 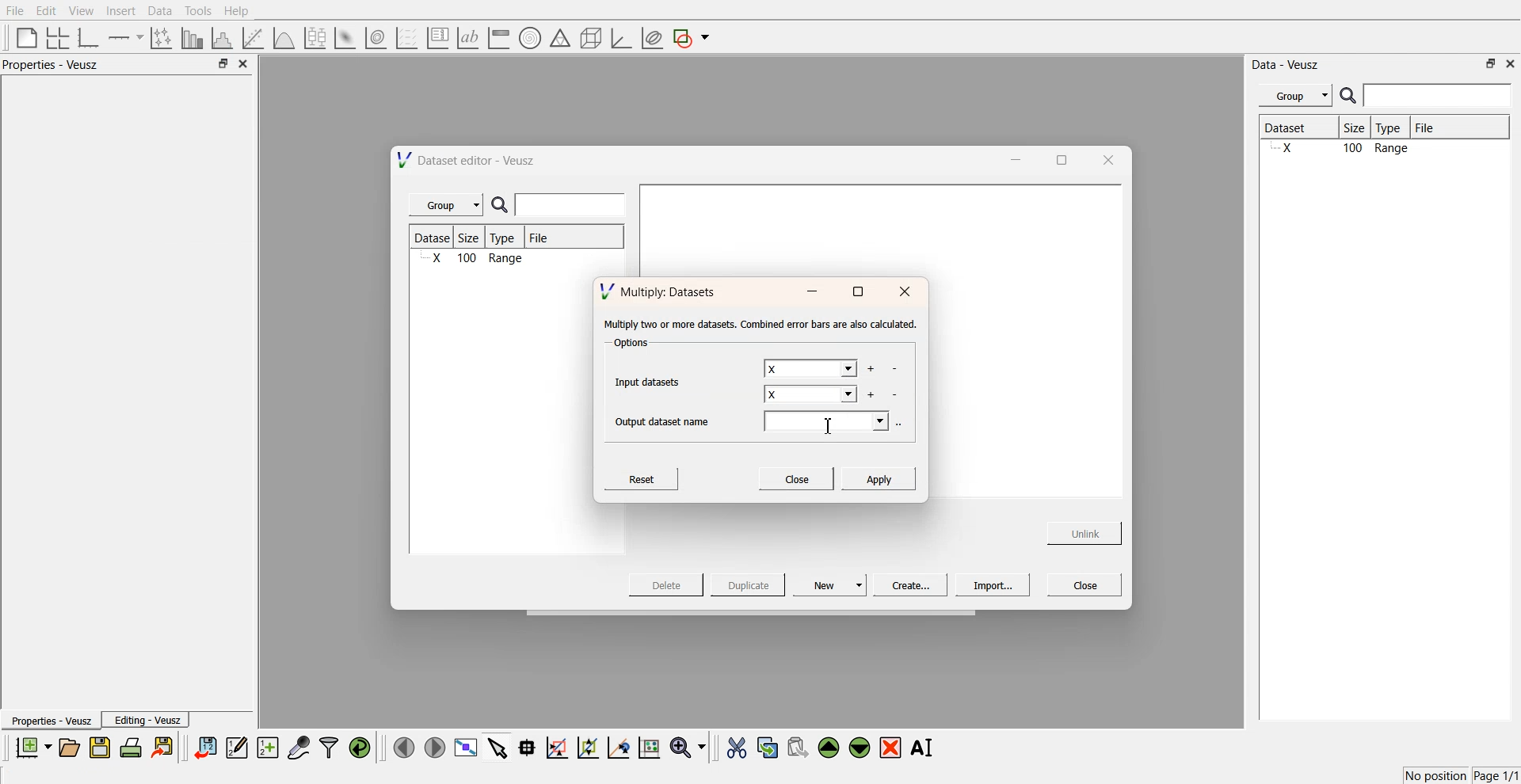 What do you see at coordinates (660, 290) in the screenshot?
I see `Multiply: Datasets` at bounding box center [660, 290].